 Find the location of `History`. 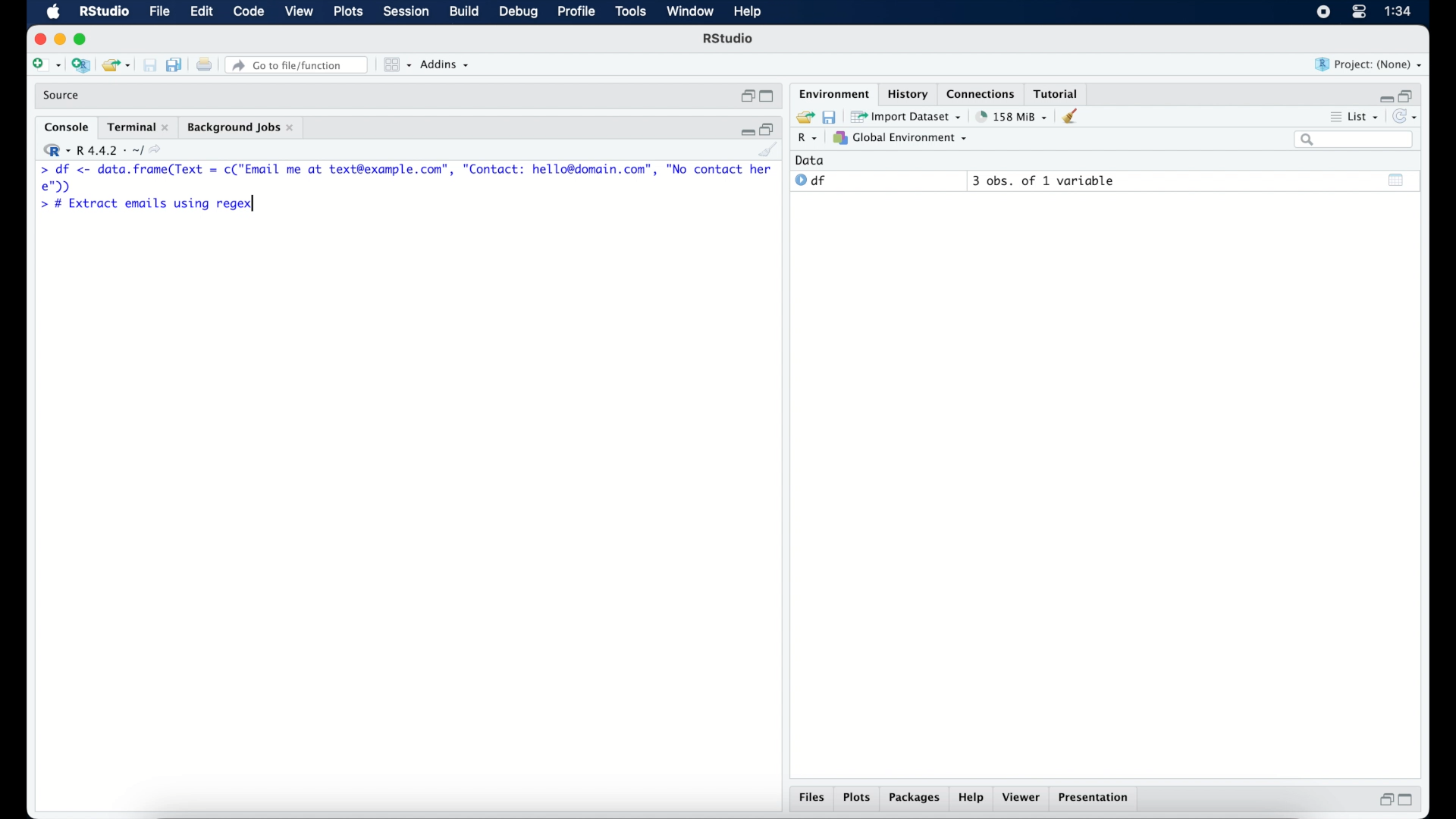

History is located at coordinates (906, 93).